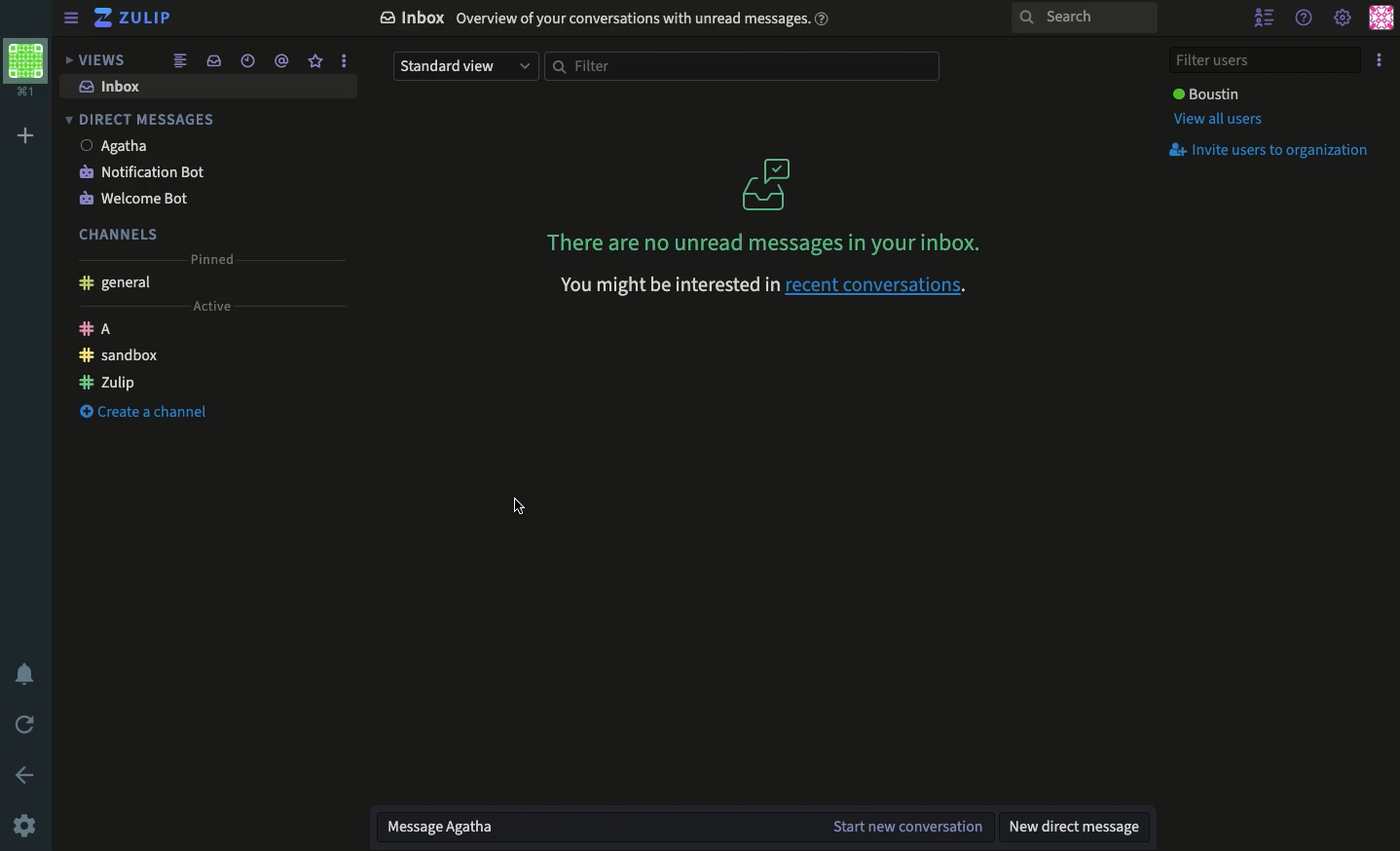 The width and height of the screenshot is (1400, 851). What do you see at coordinates (762, 284) in the screenshot?
I see `recent conversations` at bounding box center [762, 284].